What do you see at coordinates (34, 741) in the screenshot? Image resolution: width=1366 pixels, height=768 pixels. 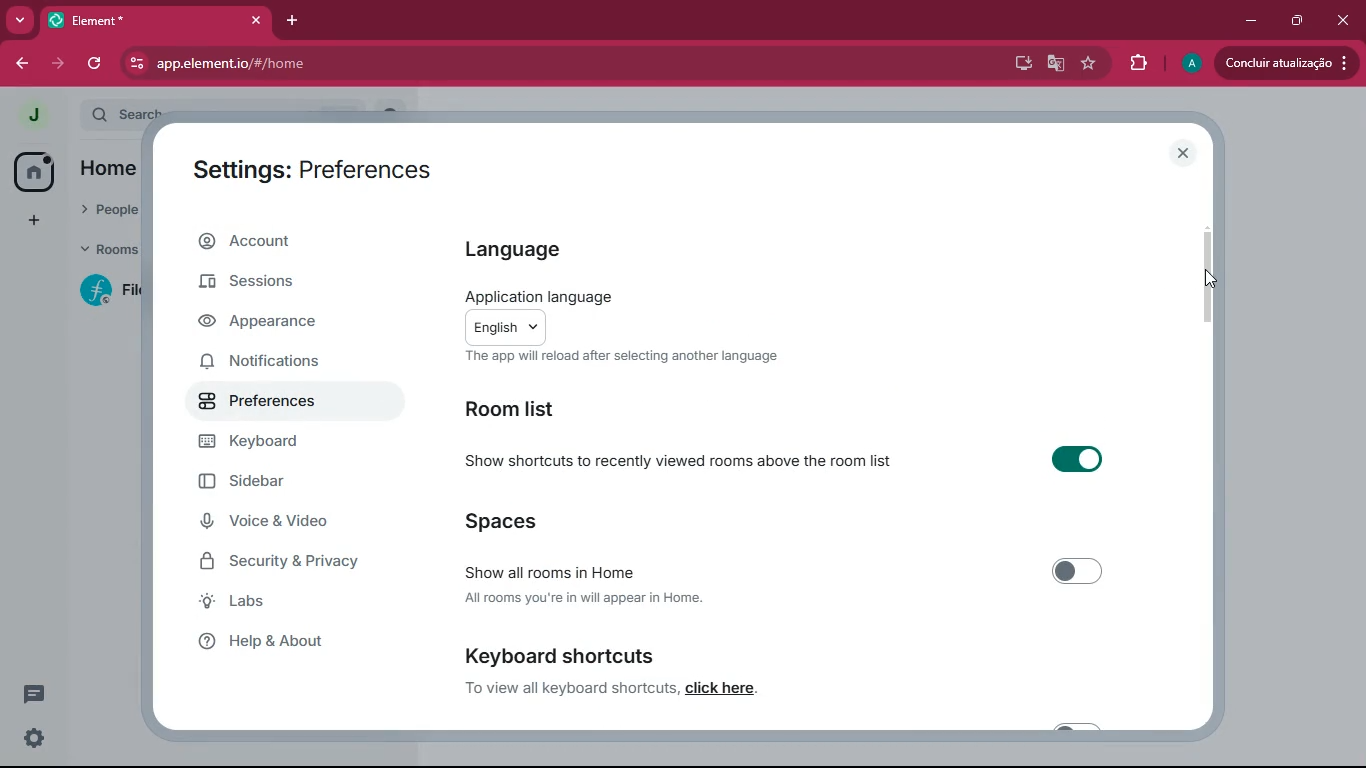 I see `settings ` at bounding box center [34, 741].